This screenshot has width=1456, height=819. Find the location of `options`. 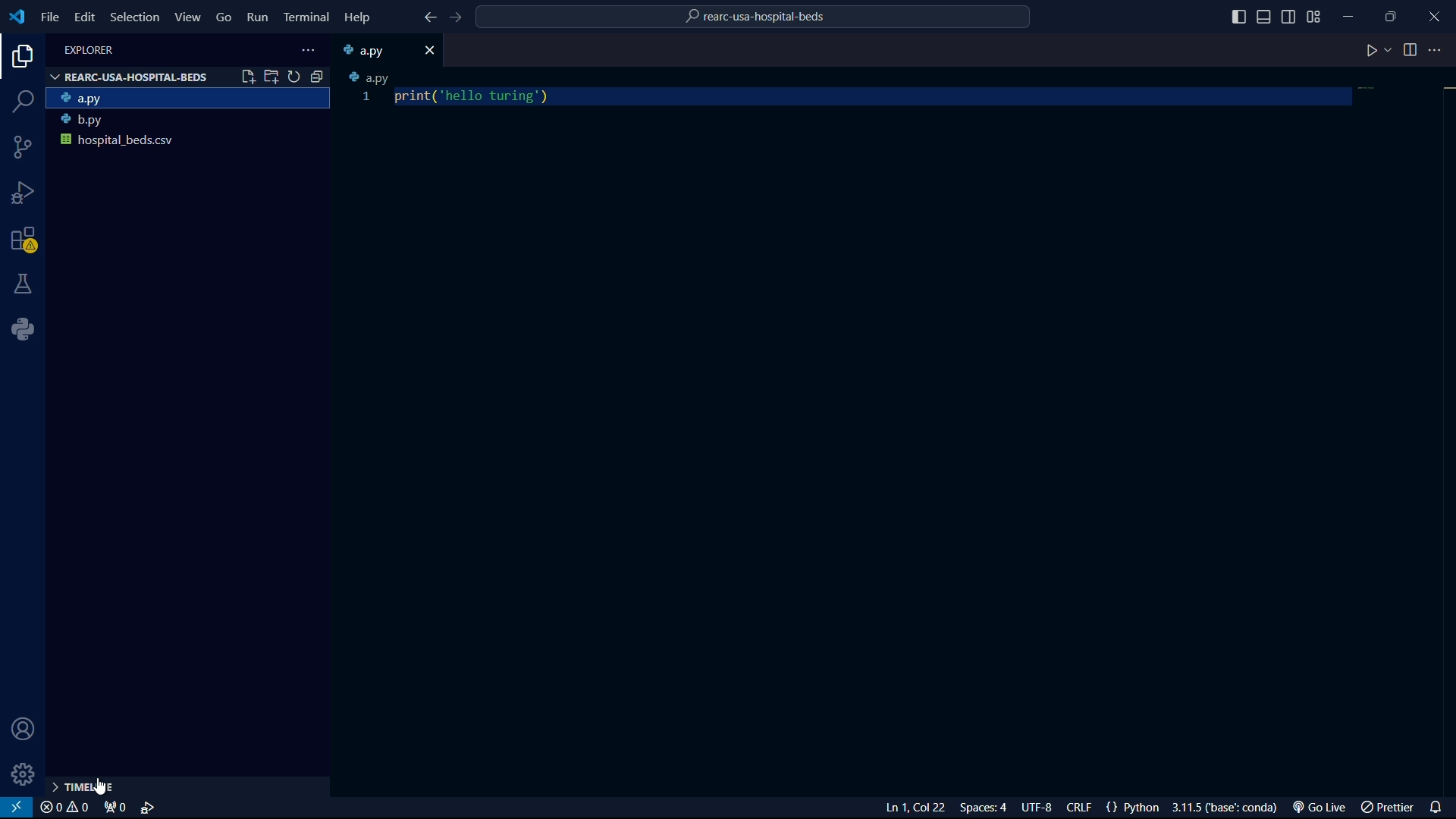

options is located at coordinates (312, 50).